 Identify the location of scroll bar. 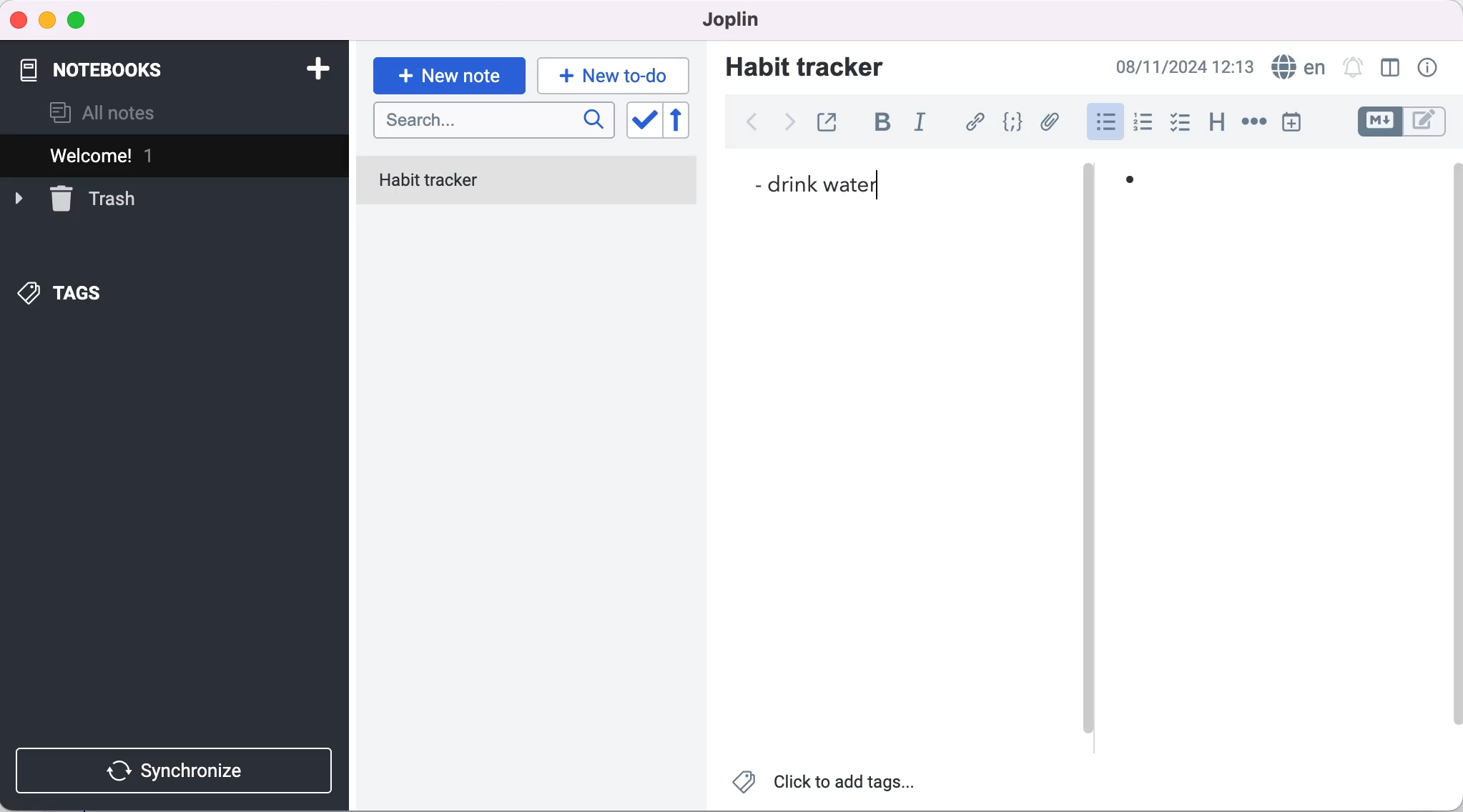
(1454, 442).